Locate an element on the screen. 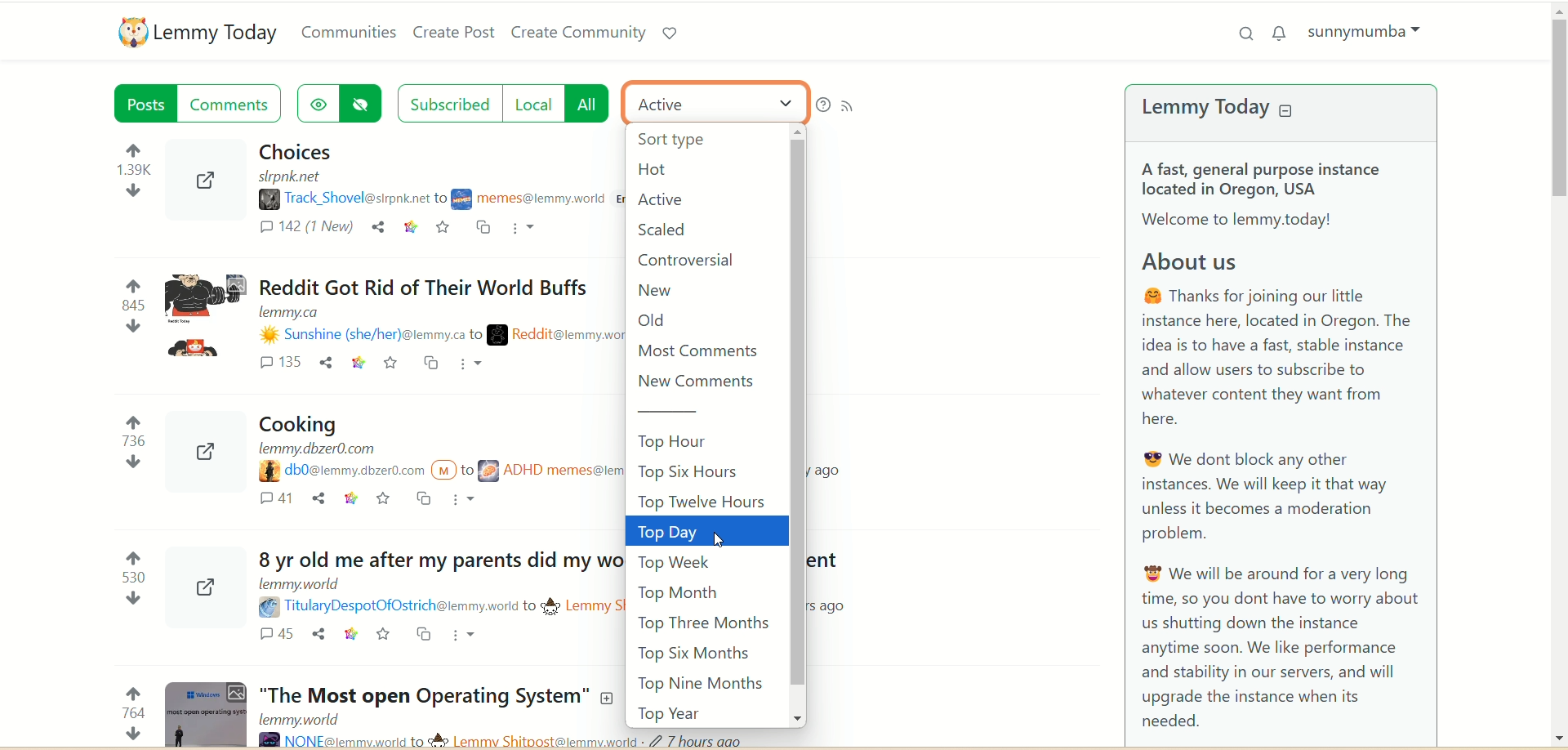 The image size is (1568, 750). lemmy today is located at coordinates (1231, 110).